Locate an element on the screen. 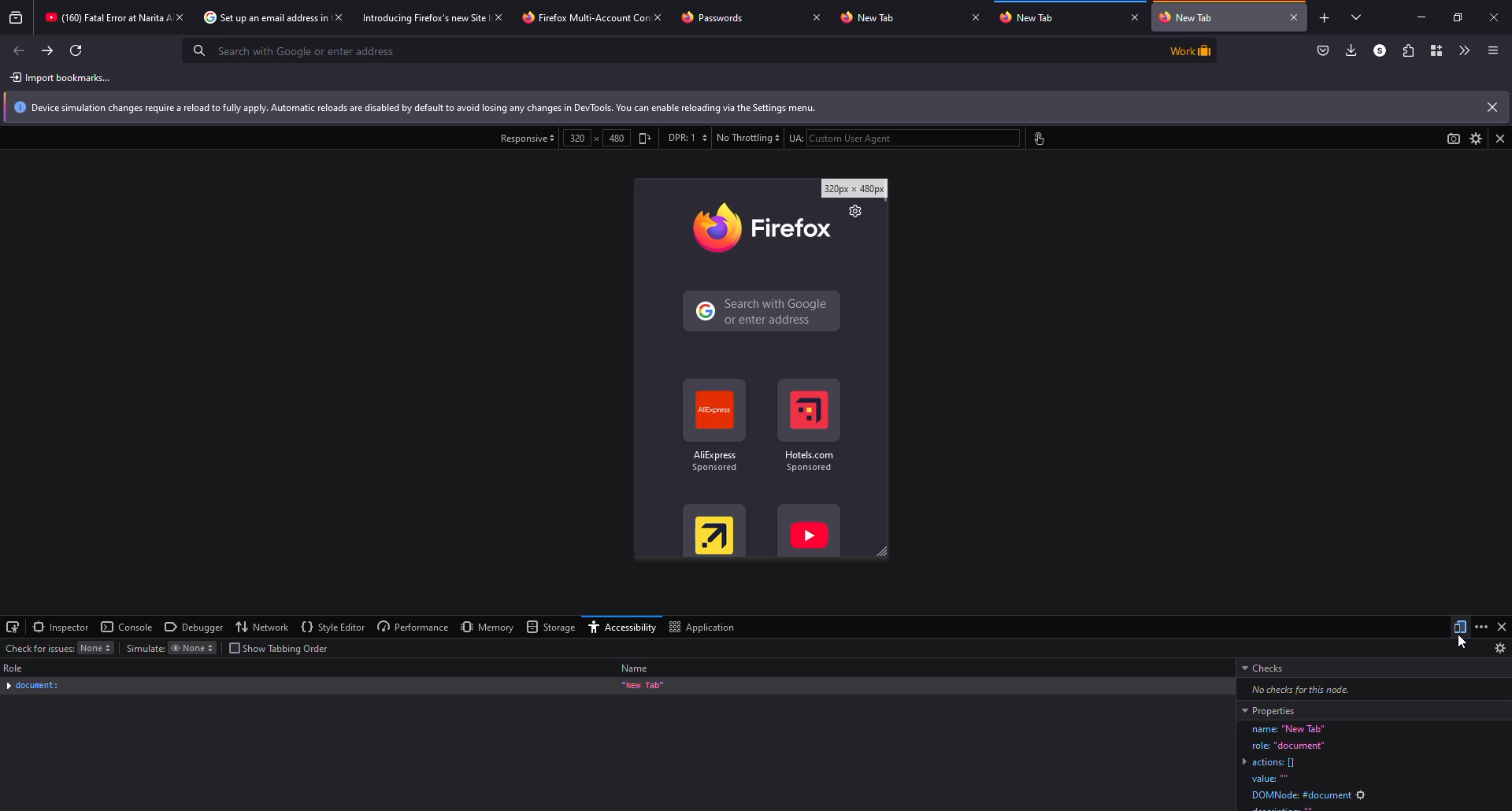 The image size is (1512, 811). accessibility is located at coordinates (621, 628).